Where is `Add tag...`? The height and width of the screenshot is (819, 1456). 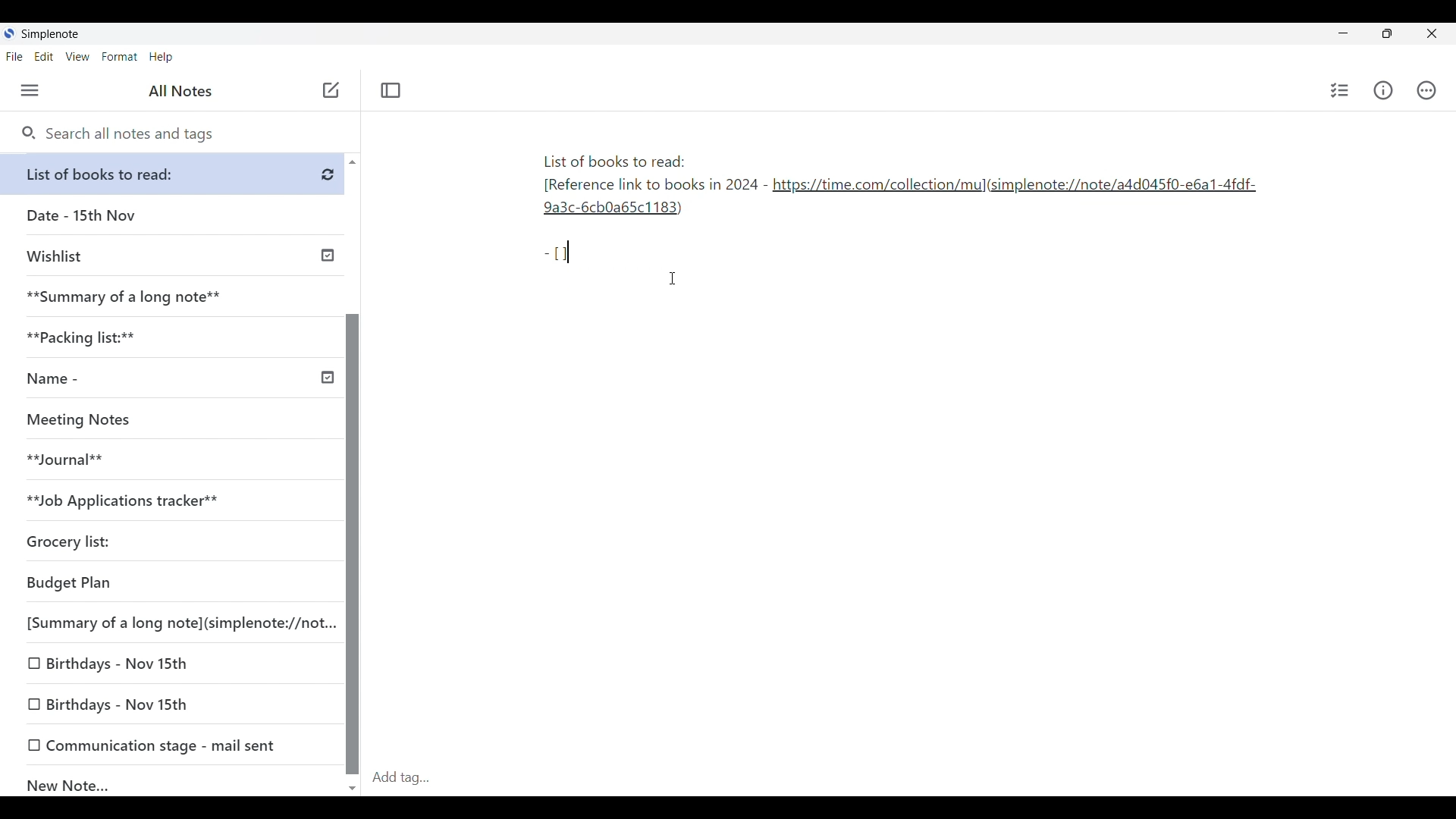
Add tag... is located at coordinates (410, 777).